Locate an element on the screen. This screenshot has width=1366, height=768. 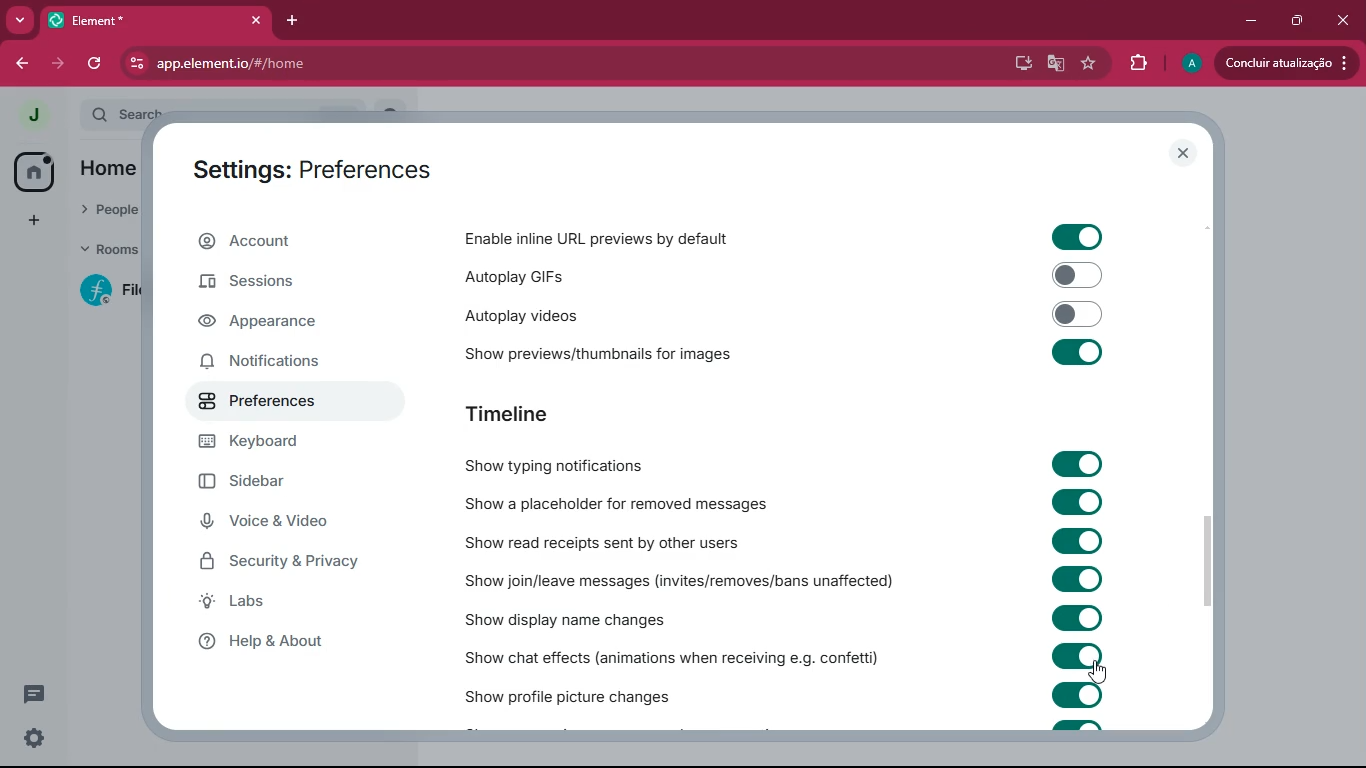
extensions is located at coordinates (1135, 64).